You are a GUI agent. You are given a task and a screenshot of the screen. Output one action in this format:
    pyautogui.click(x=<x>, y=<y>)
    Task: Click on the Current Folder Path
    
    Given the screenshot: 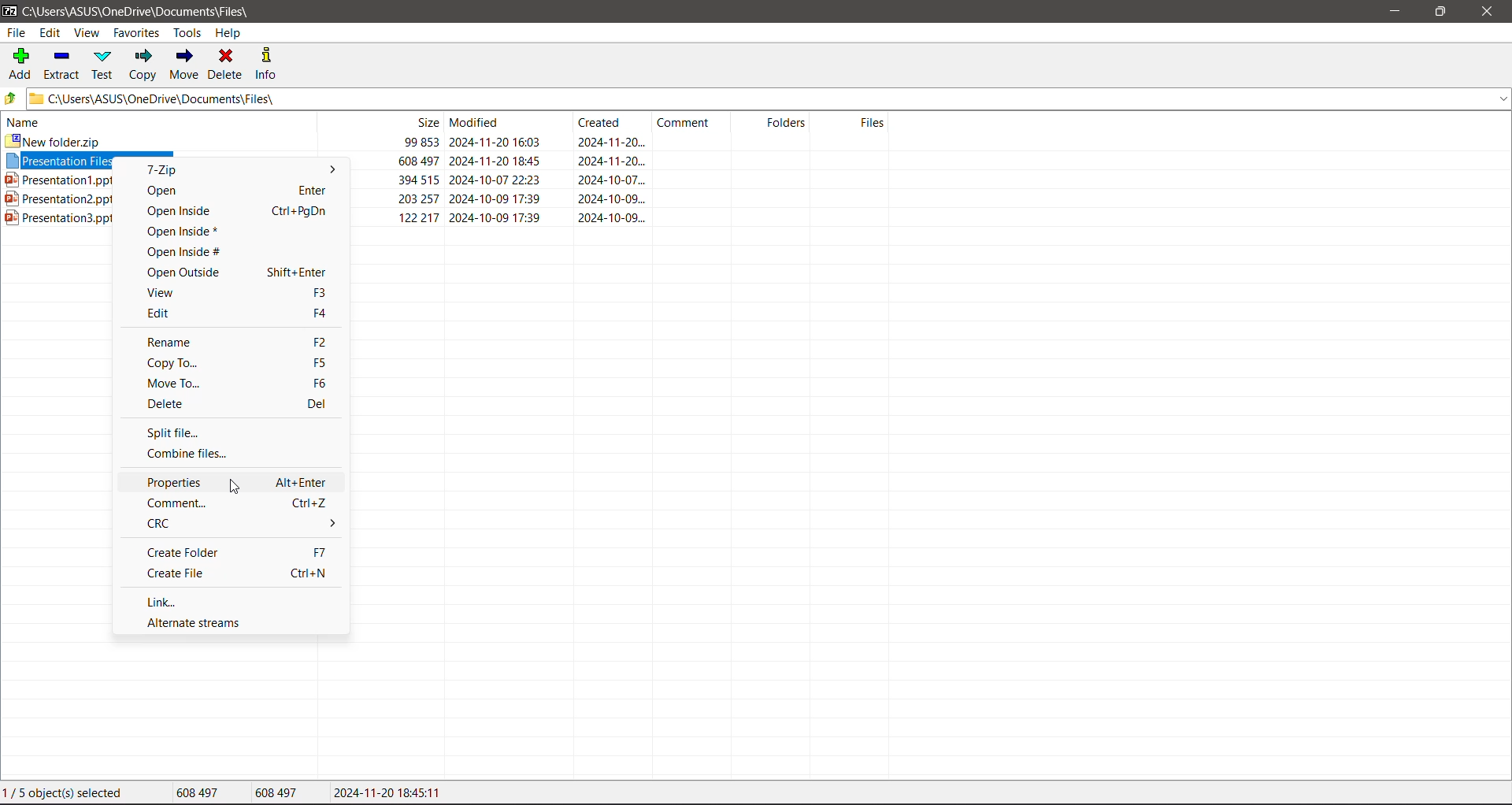 What is the action you would take?
    pyautogui.click(x=150, y=9)
    